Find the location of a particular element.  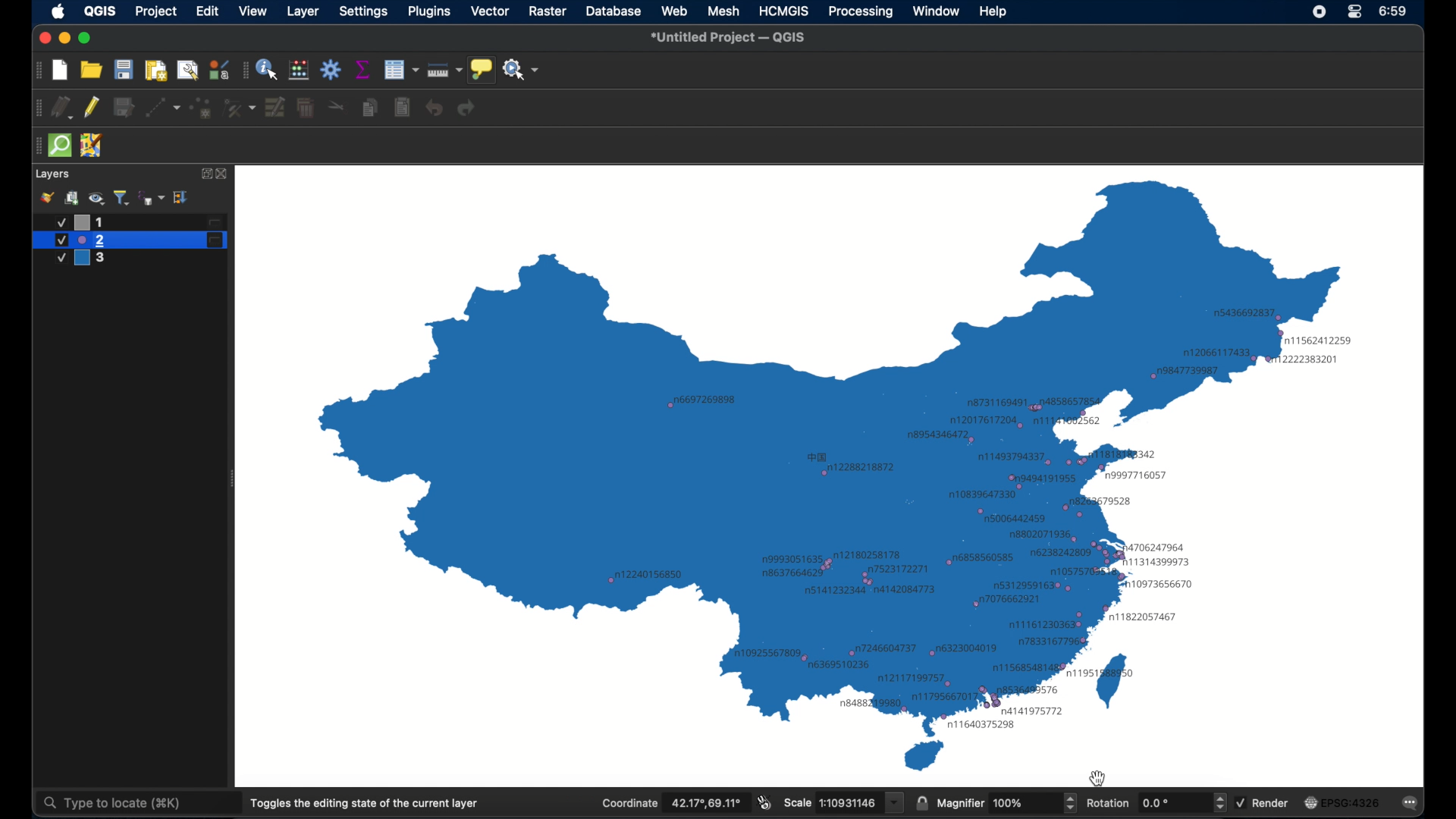

new is located at coordinates (59, 71).